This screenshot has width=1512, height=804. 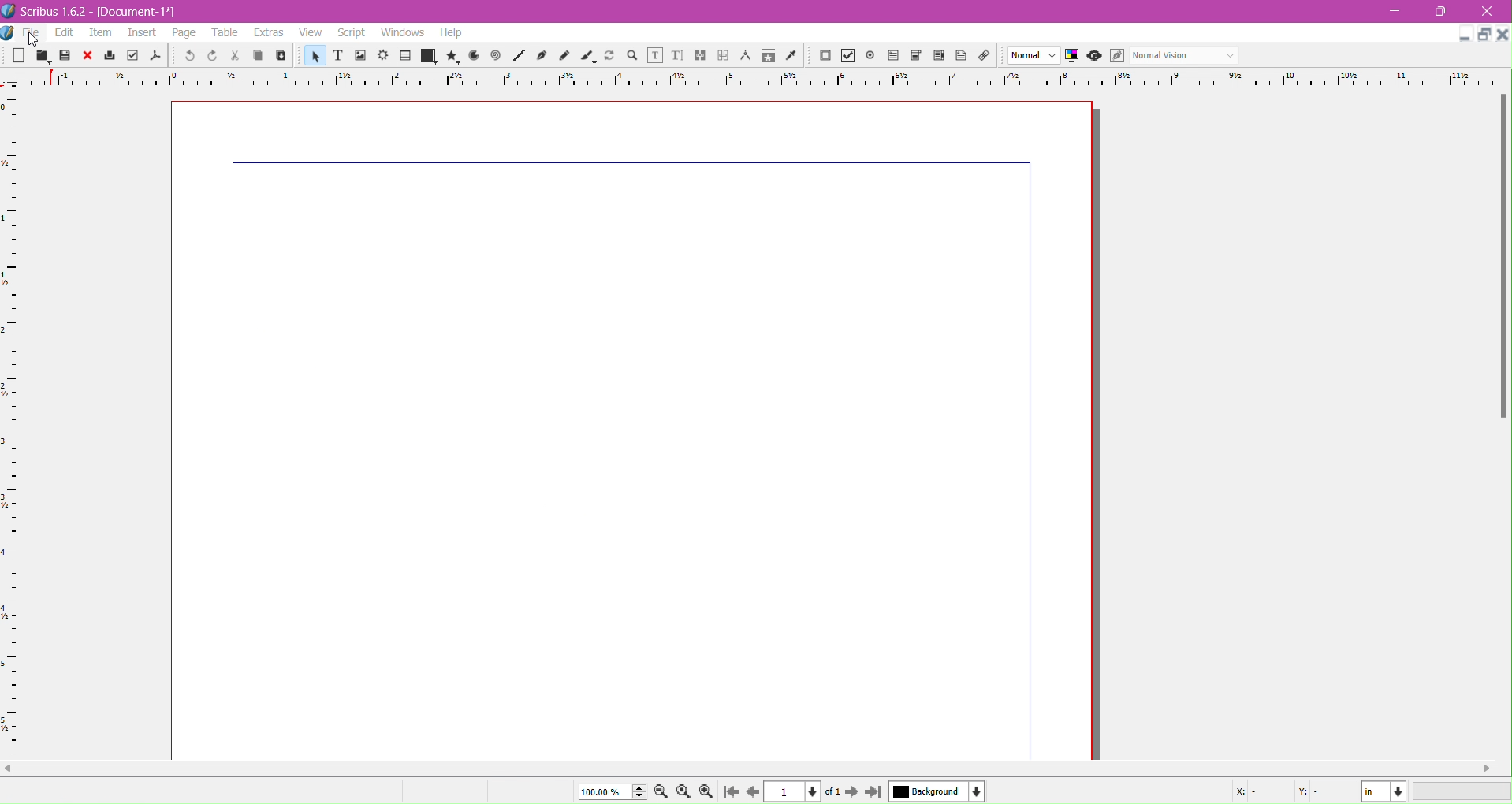 What do you see at coordinates (1460, 37) in the screenshot?
I see `minimize document` at bounding box center [1460, 37].